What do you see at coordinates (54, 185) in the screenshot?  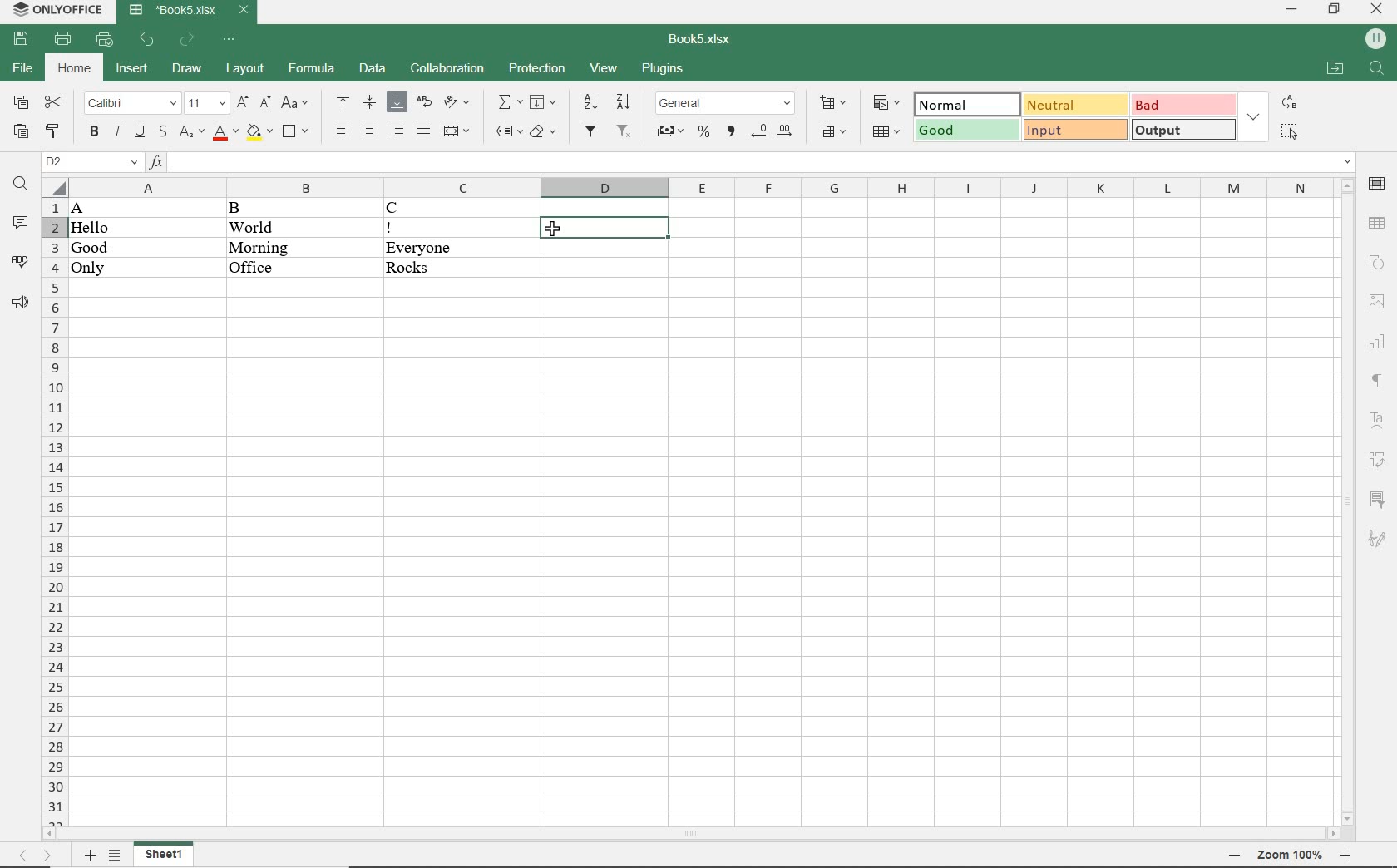 I see `select all cells ` at bounding box center [54, 185].